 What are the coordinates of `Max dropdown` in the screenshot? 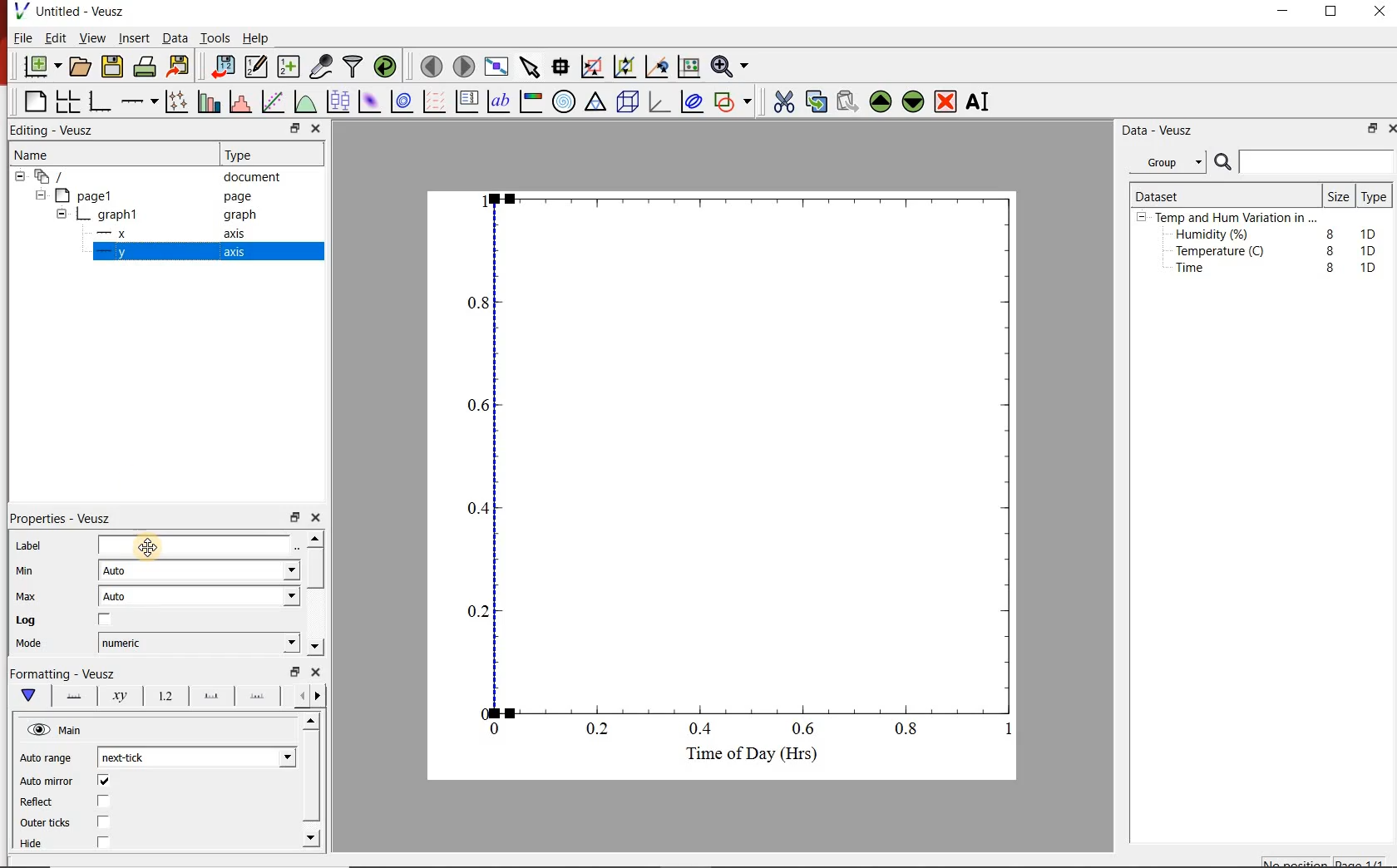 It's located at (274, 599).